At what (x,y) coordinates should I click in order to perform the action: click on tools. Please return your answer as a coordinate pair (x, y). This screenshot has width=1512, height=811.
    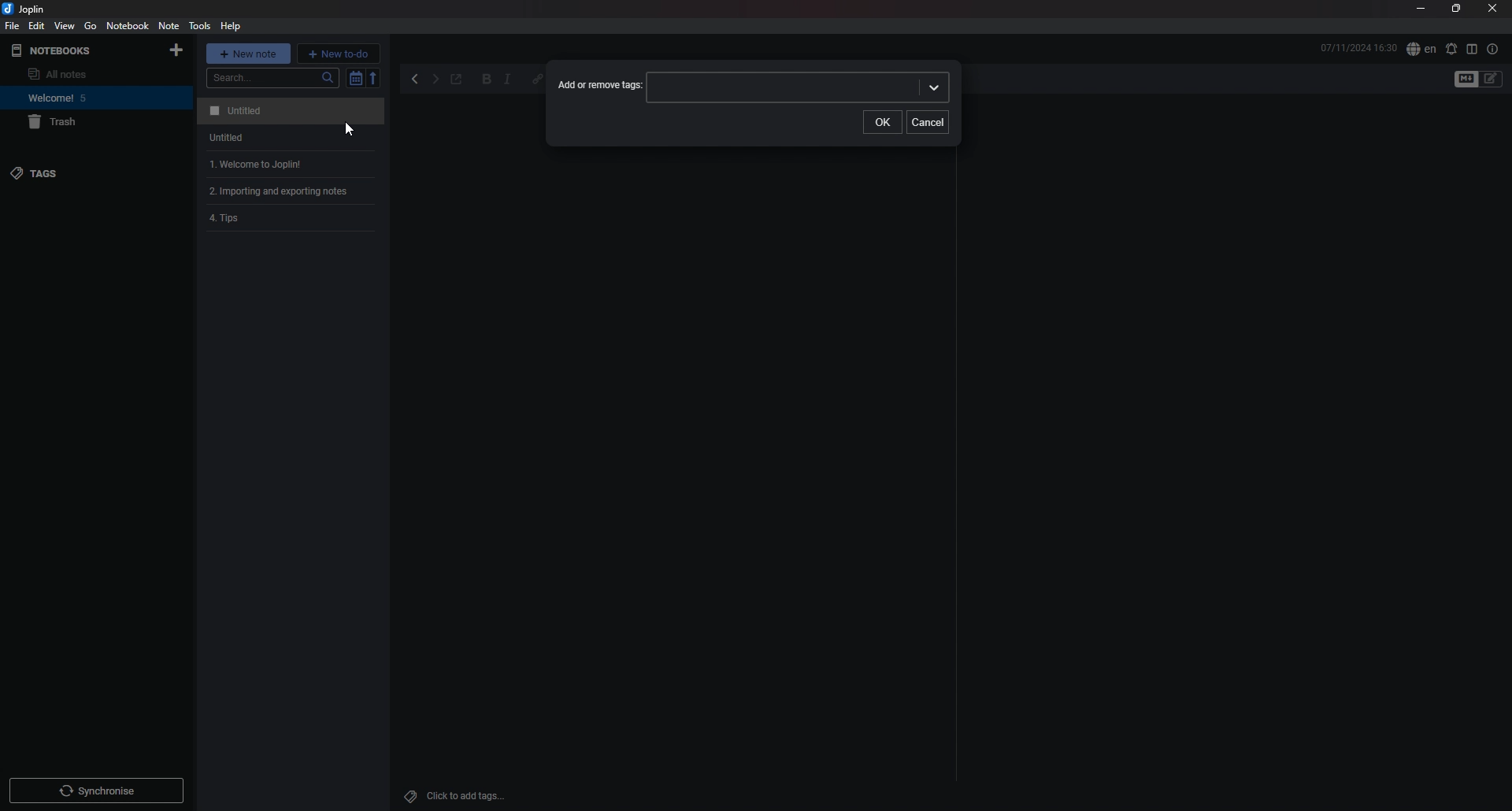
    Looking at the image, I should click on (198, 26).